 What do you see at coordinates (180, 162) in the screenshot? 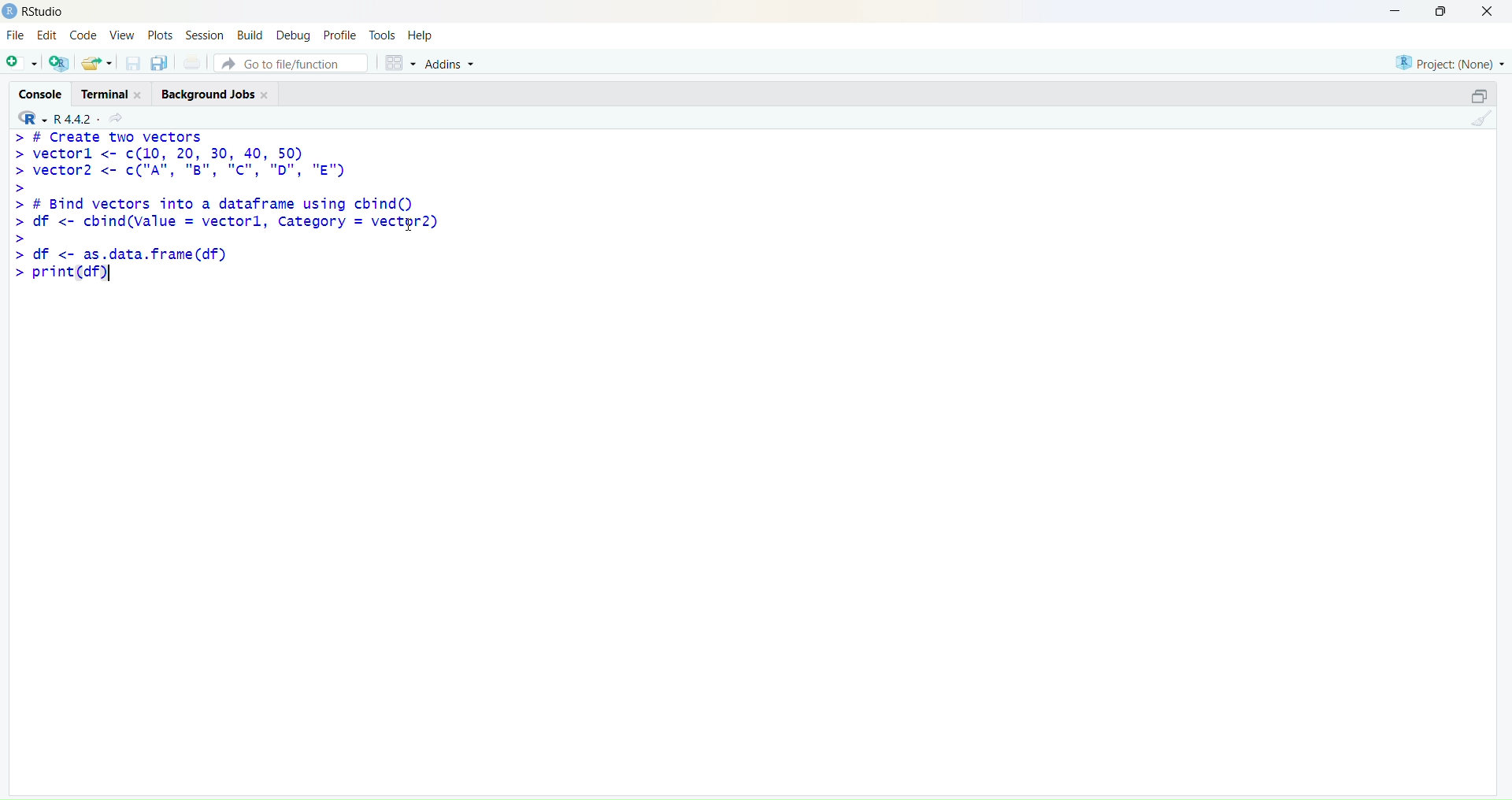
I see `# Create two vectorsvectorl <- c(10, 20, 30, 40, 50)vector2 <- c("A", "B", “C", "D", "E")` at bounding box center [180, 162].